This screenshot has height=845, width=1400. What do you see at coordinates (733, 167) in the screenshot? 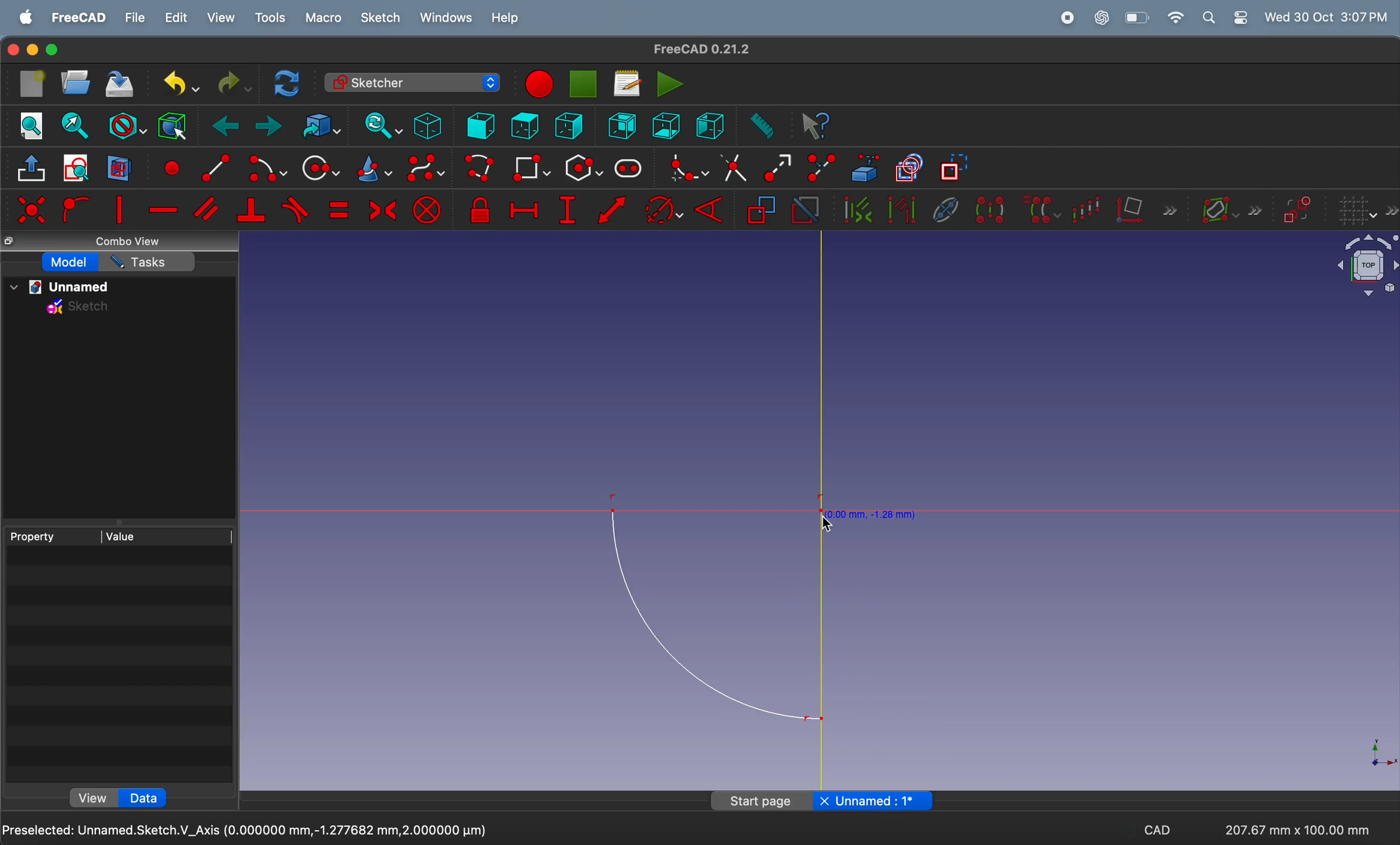
I see `trim edge ` at bounding box center [733, 167].